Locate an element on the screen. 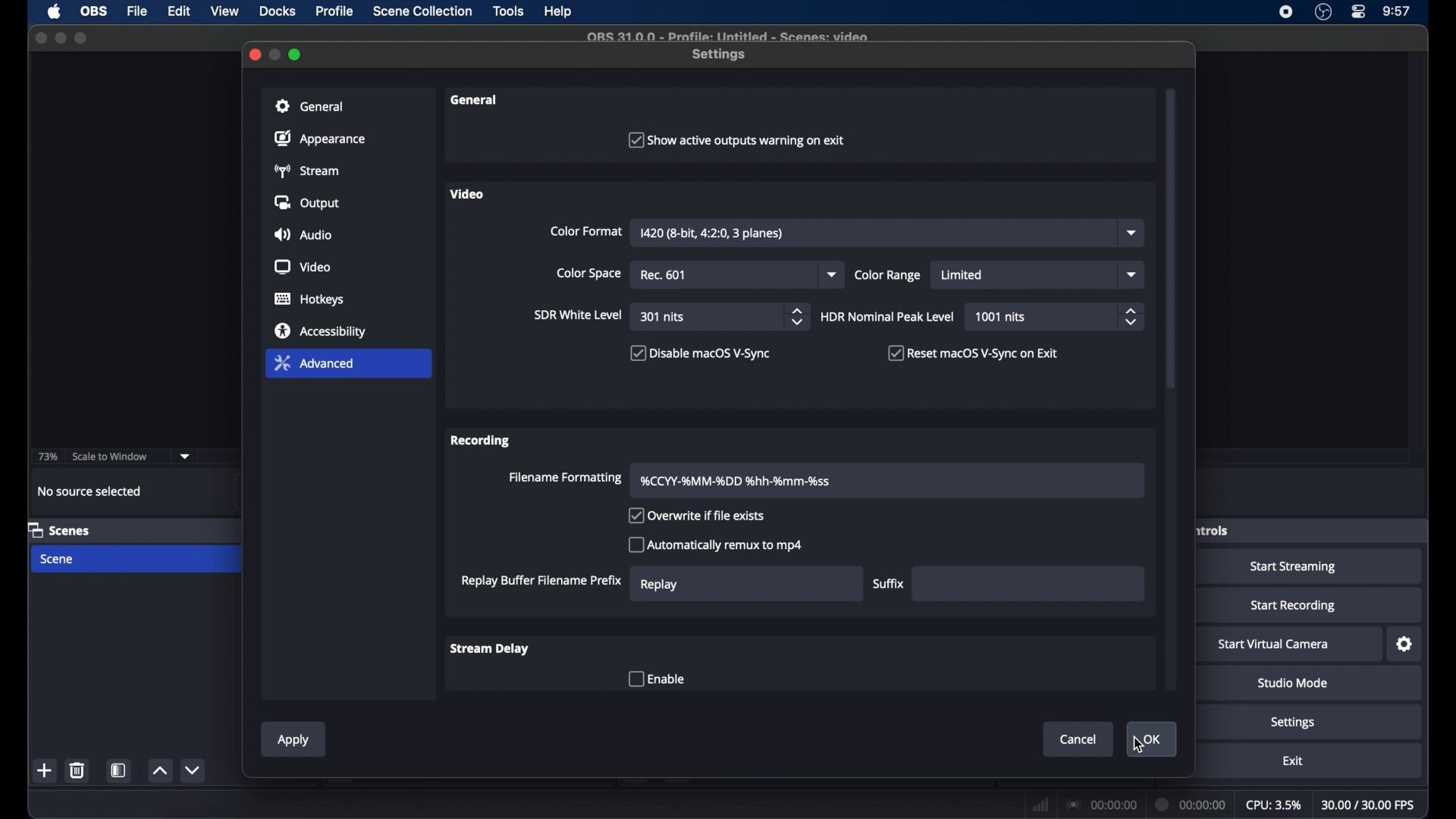  video is located at coordinates (466, 194).